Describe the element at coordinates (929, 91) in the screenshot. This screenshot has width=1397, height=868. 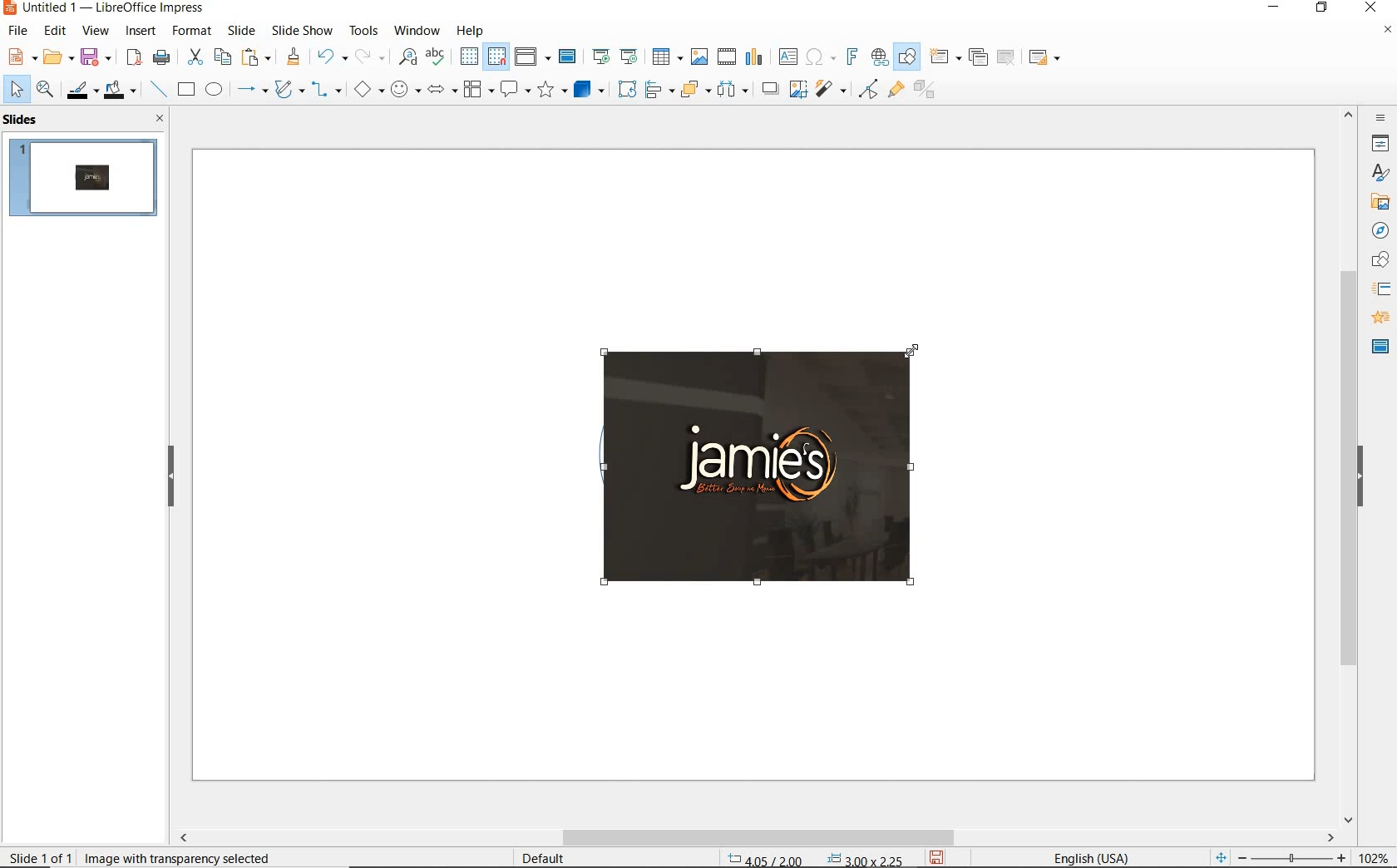
I see `toggle extrusion` at that location.